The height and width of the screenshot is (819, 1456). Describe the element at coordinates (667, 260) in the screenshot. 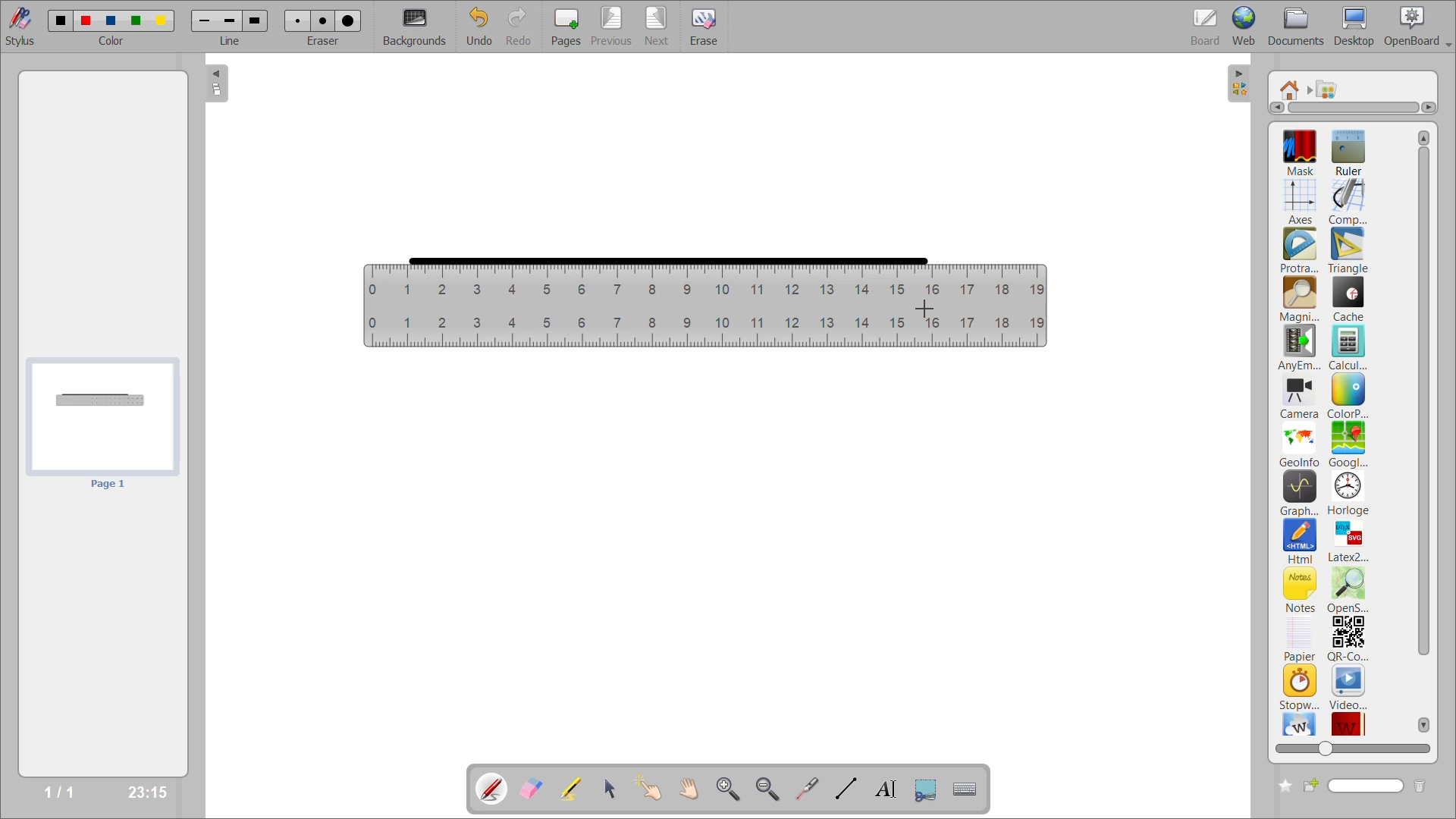

I see `straight line` at that location.